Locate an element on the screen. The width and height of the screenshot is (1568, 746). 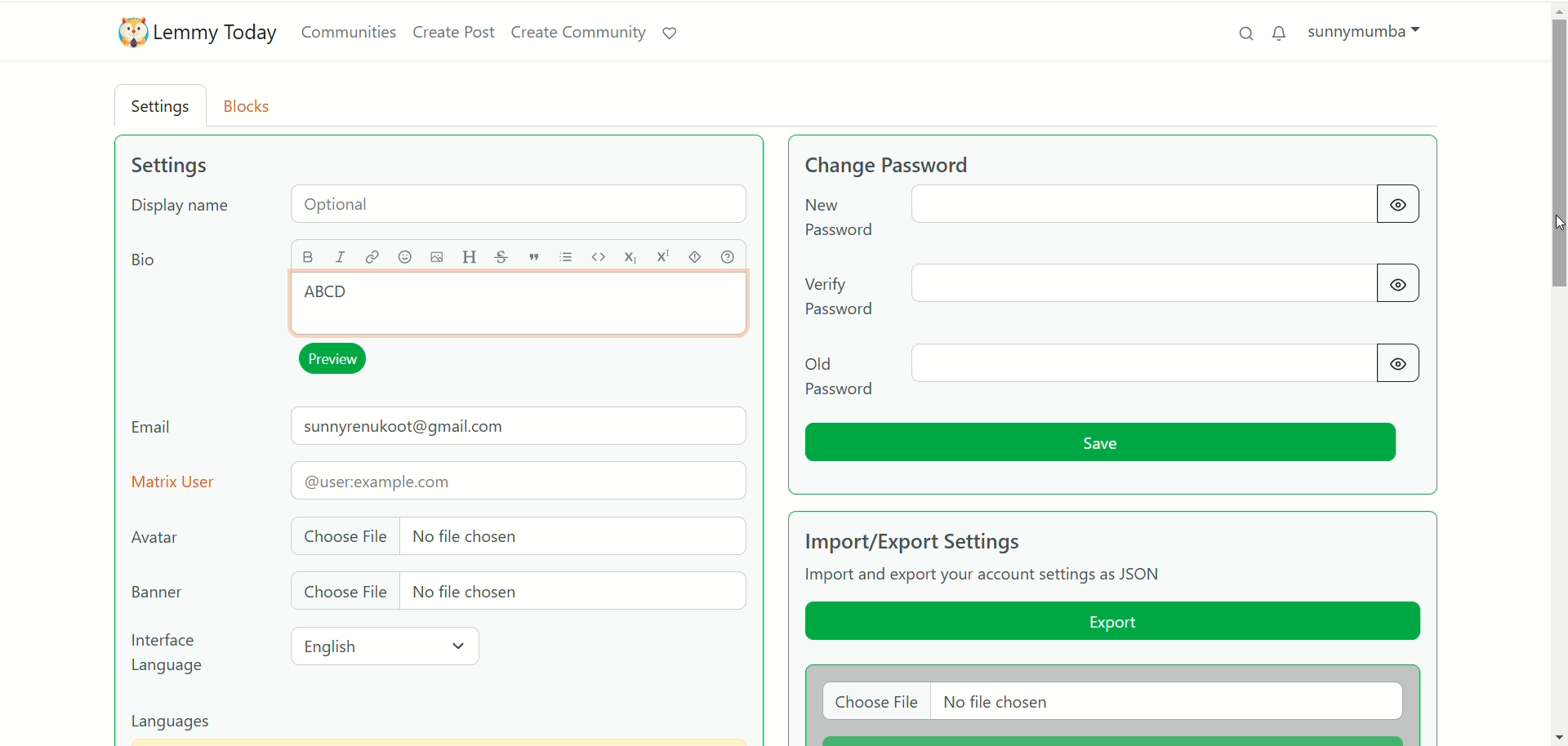
italics is located at coordinates (345, 258).